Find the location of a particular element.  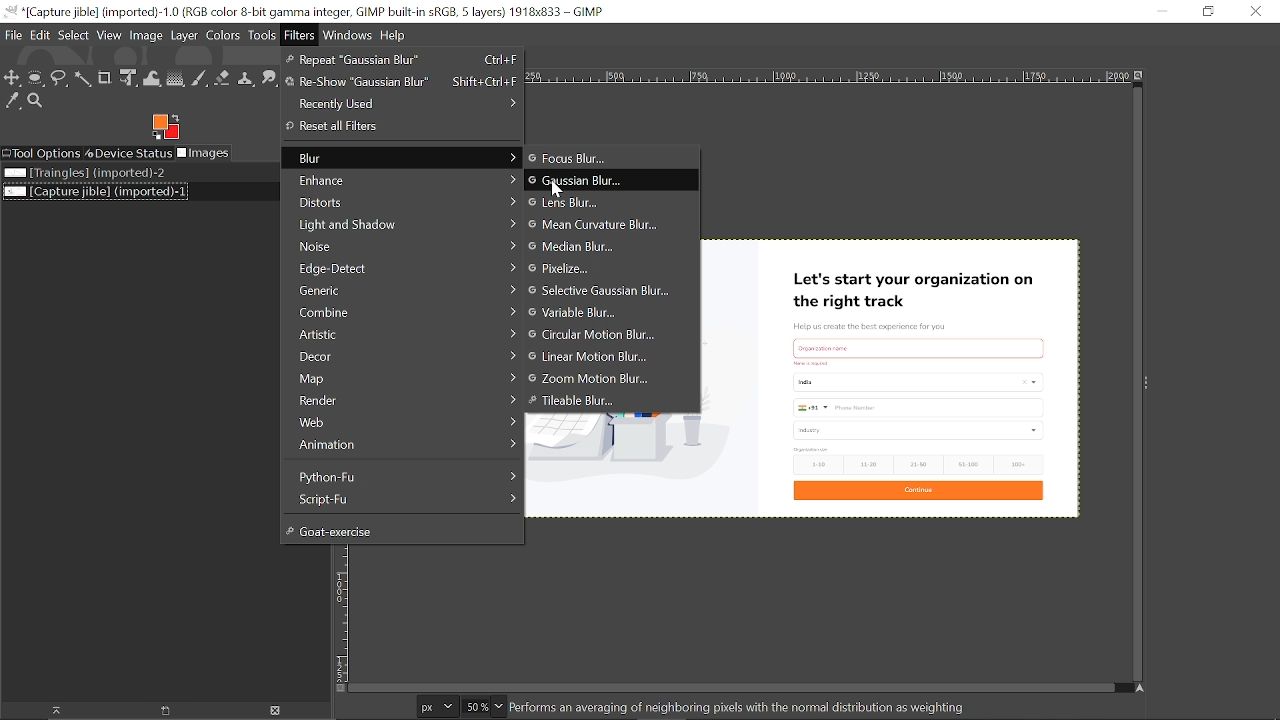

Minimize is located at coordinates (1162, 12).